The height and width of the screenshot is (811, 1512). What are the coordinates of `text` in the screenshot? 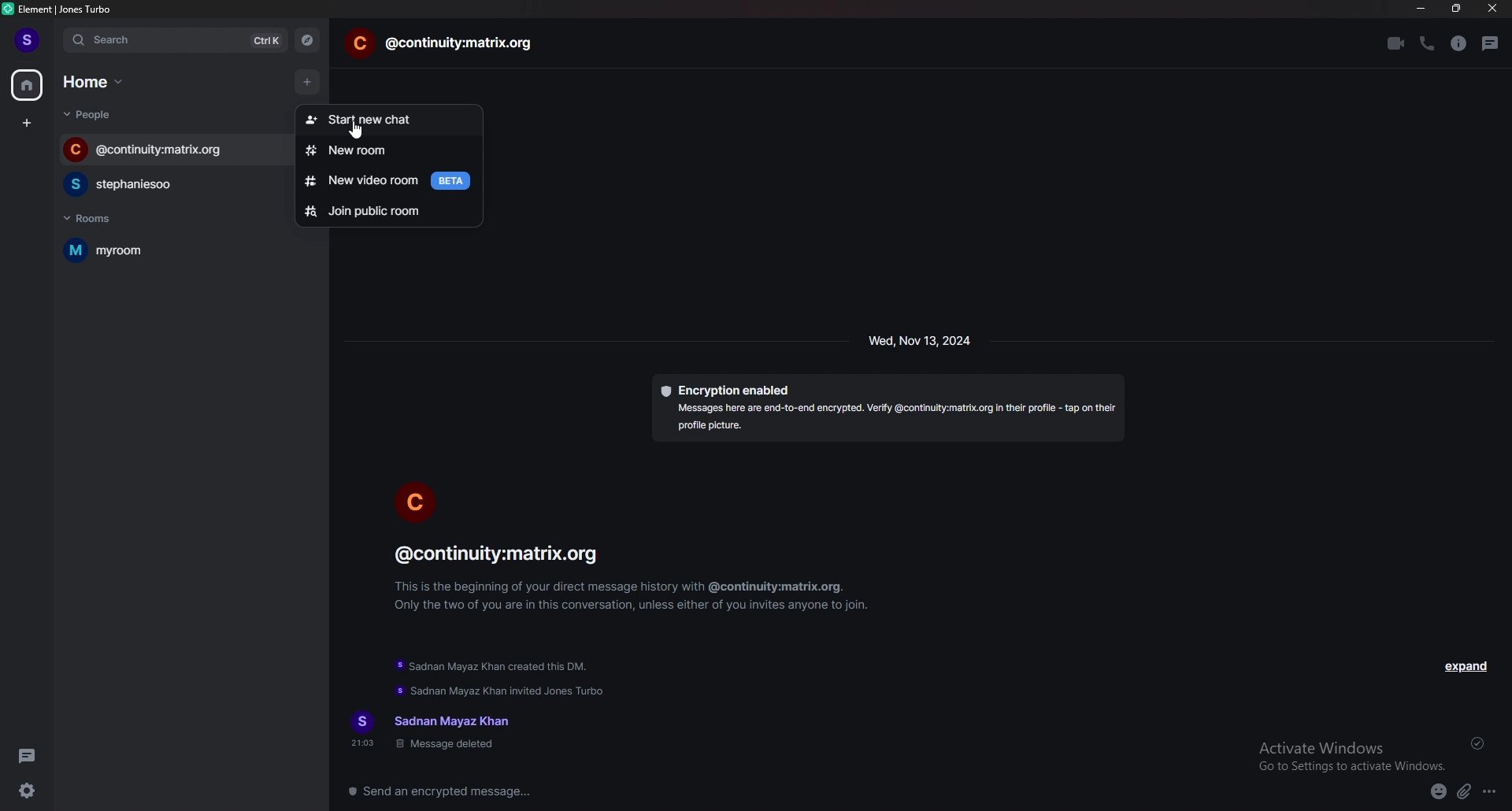 It's located at (435, 731).